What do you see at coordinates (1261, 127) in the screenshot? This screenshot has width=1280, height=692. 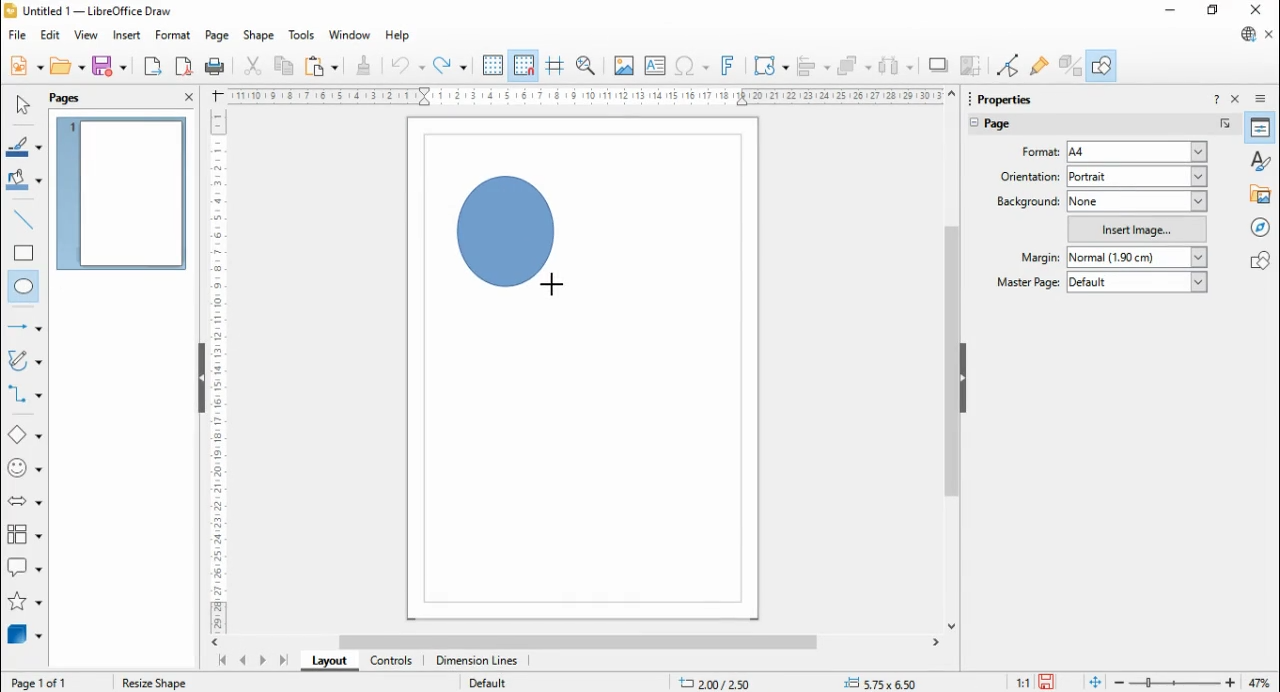 I see `properties` at bounding box center [1261, 127].